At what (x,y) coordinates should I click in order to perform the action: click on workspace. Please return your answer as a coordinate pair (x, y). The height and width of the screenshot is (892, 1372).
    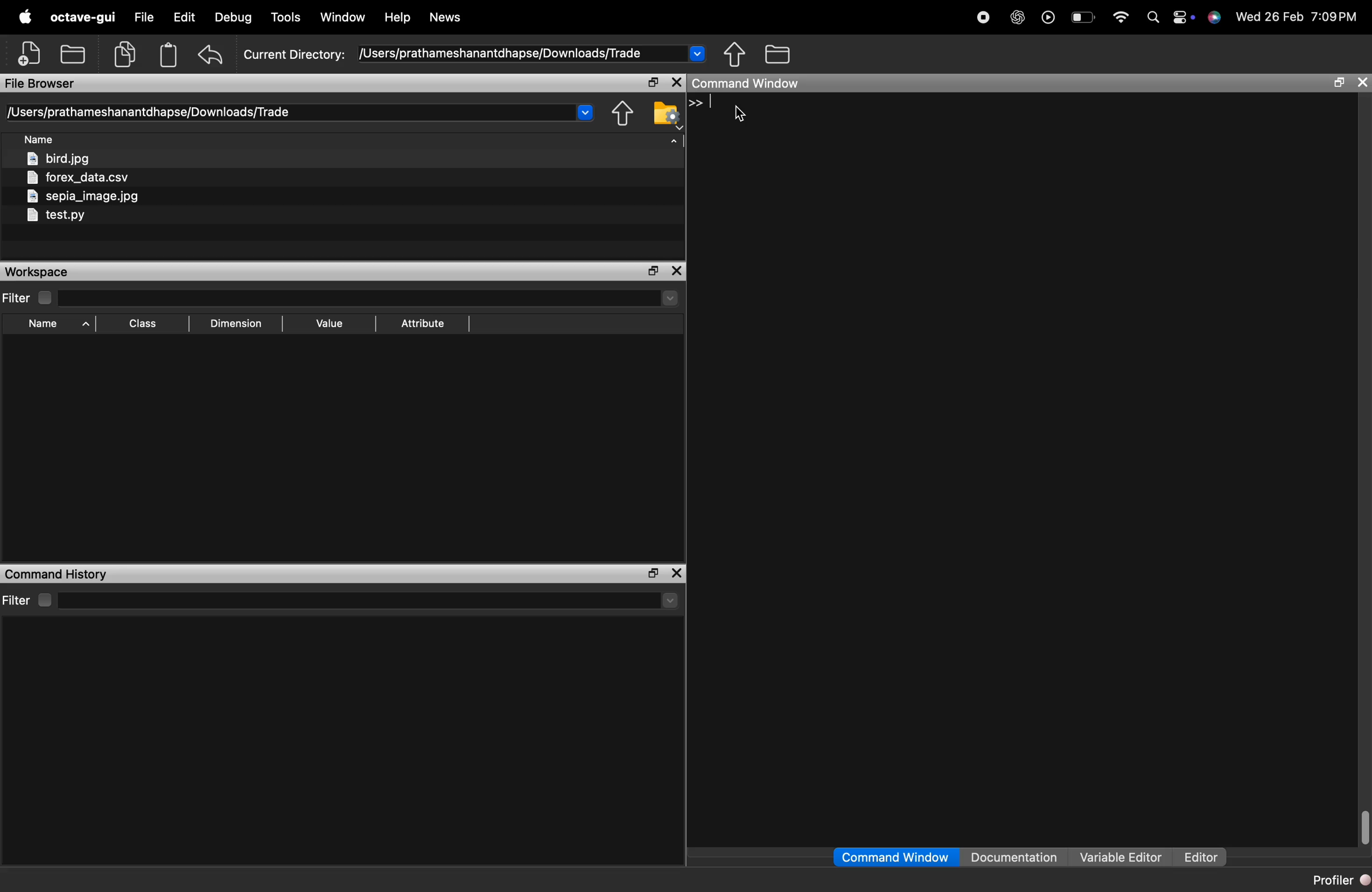
    Looking at the image, I should click on (57, 272).